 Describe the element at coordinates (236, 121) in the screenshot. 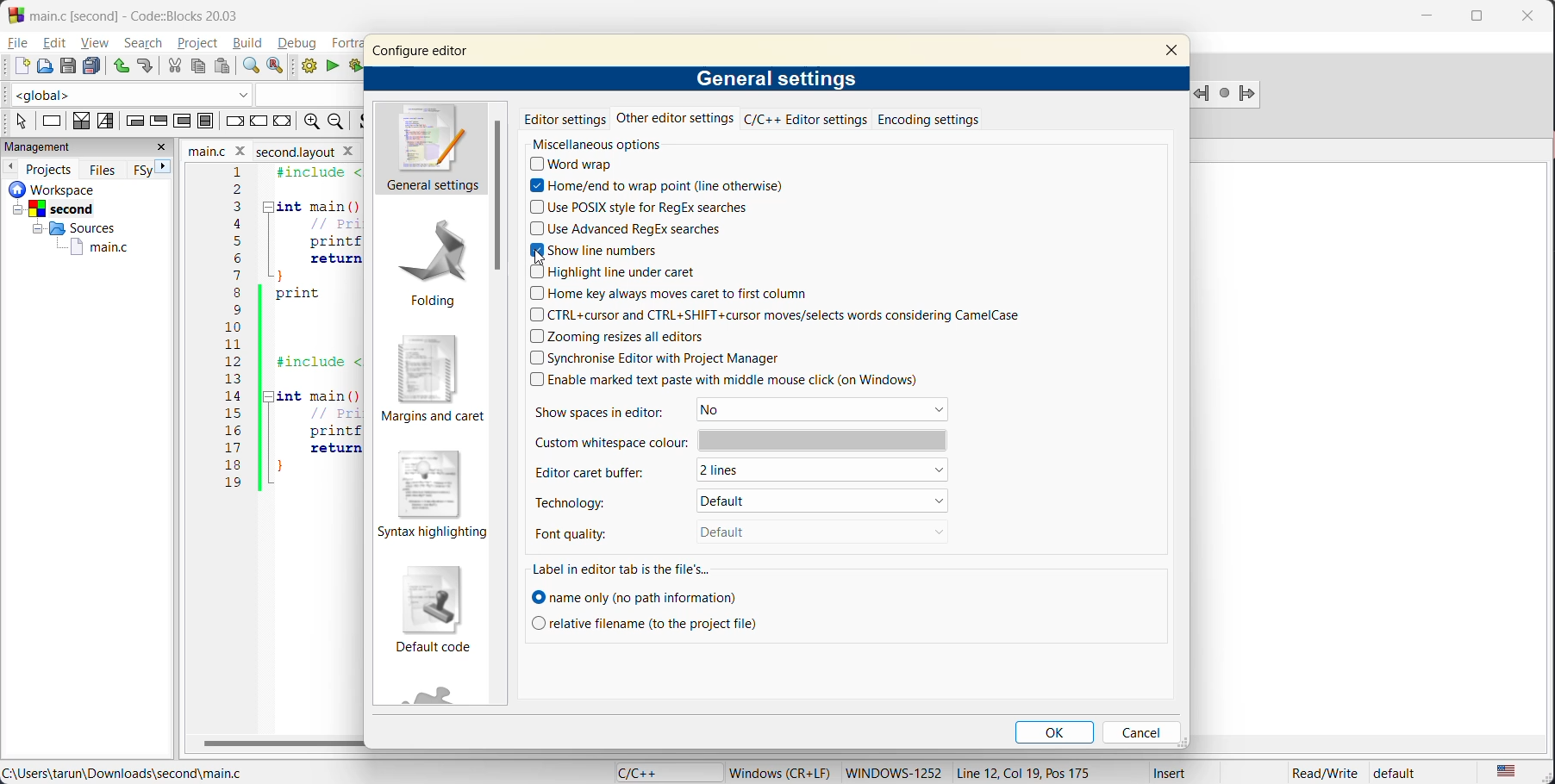

I see `break instruction` at that location.